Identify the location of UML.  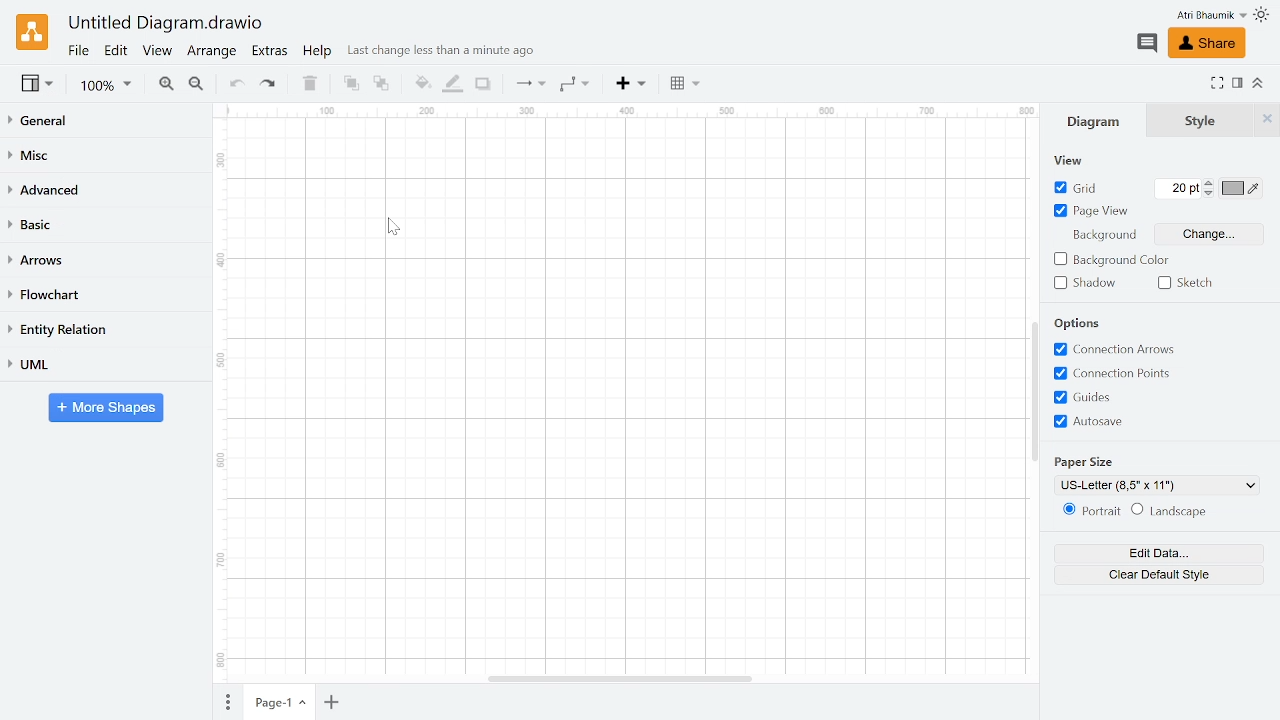
(102, 365).